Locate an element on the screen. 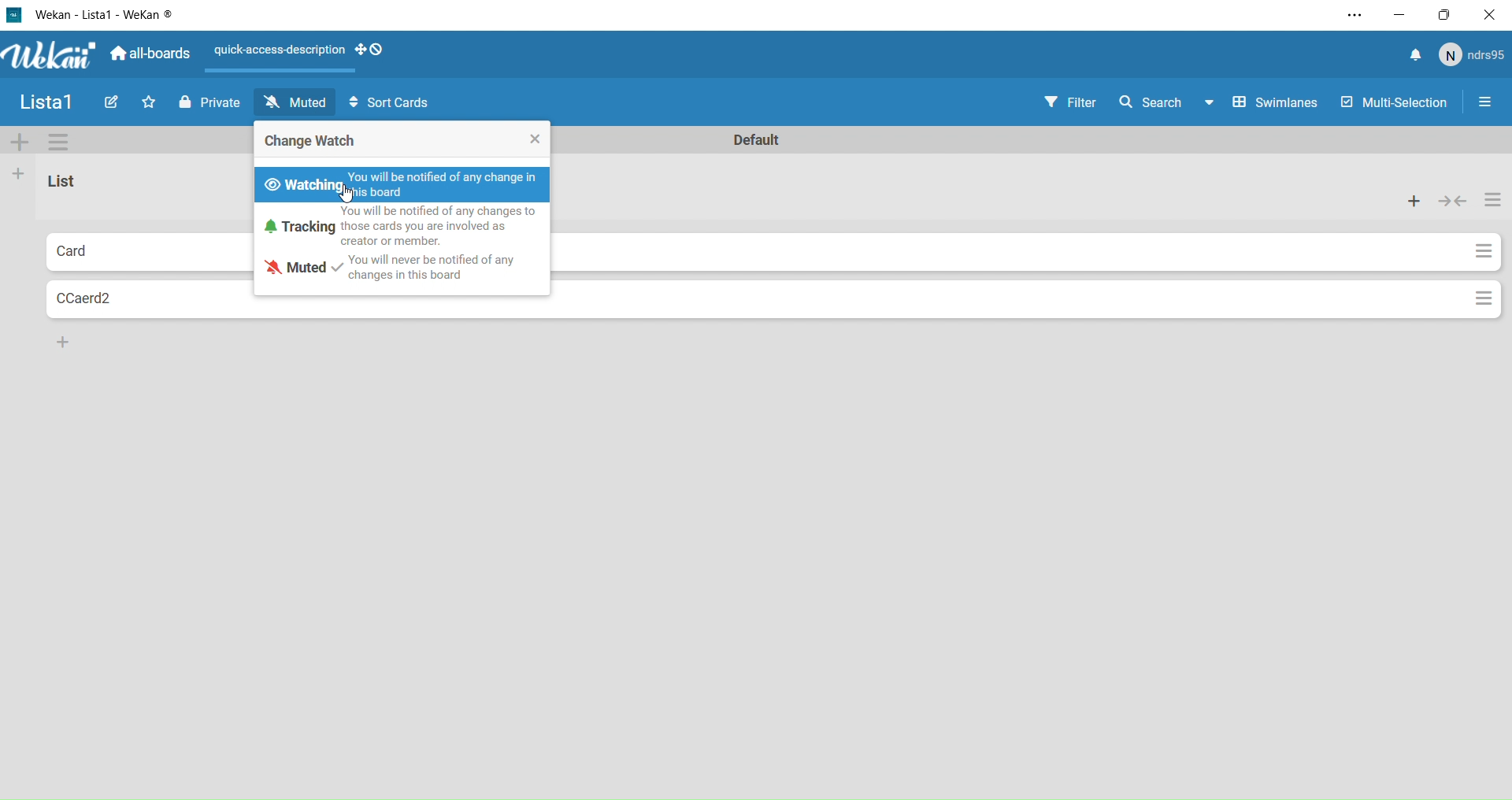  Minimize is located at coordinates (1404, 14).